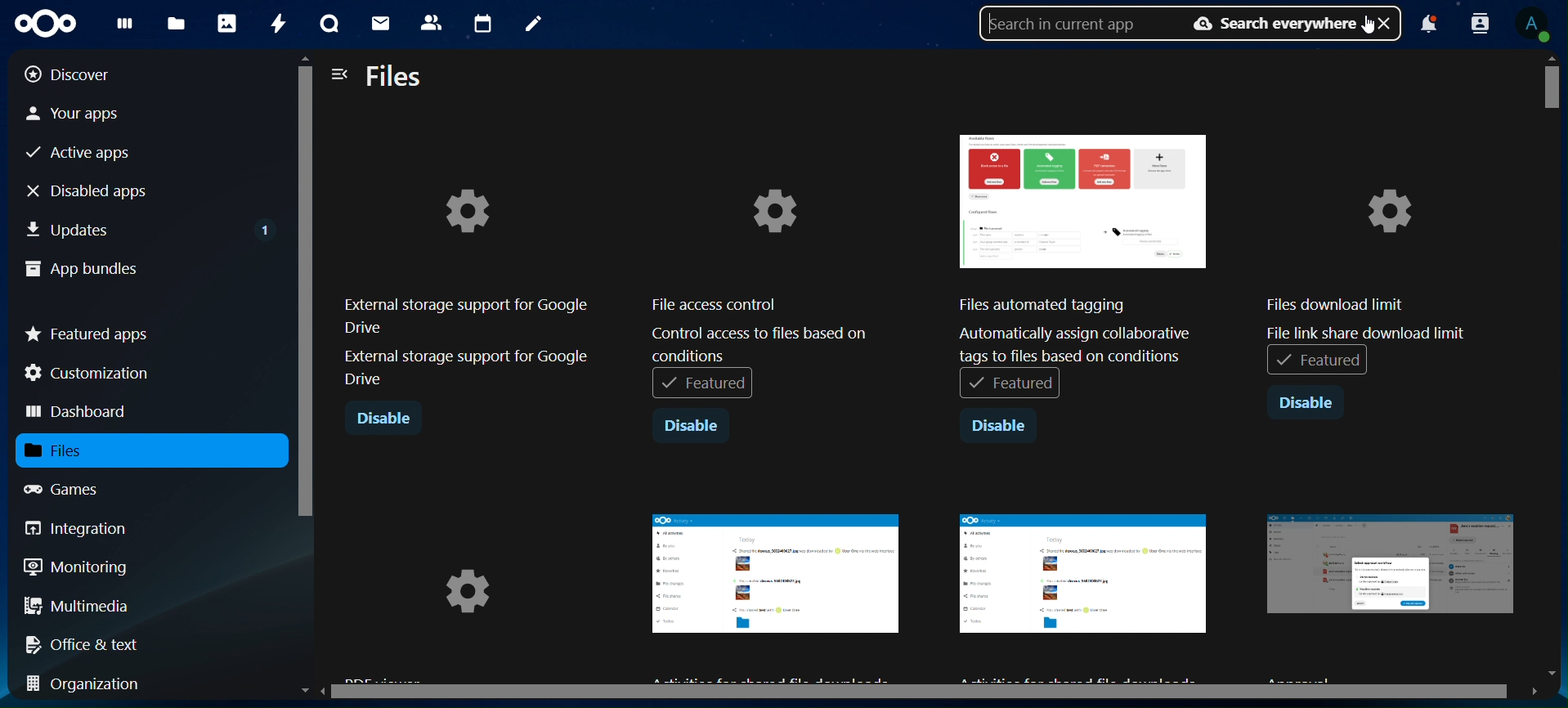 The height and width of the screenshot is (708, 1568). Describe the element at coordinates (340, 76) in the screenshot. I see `close navigation` at that location.